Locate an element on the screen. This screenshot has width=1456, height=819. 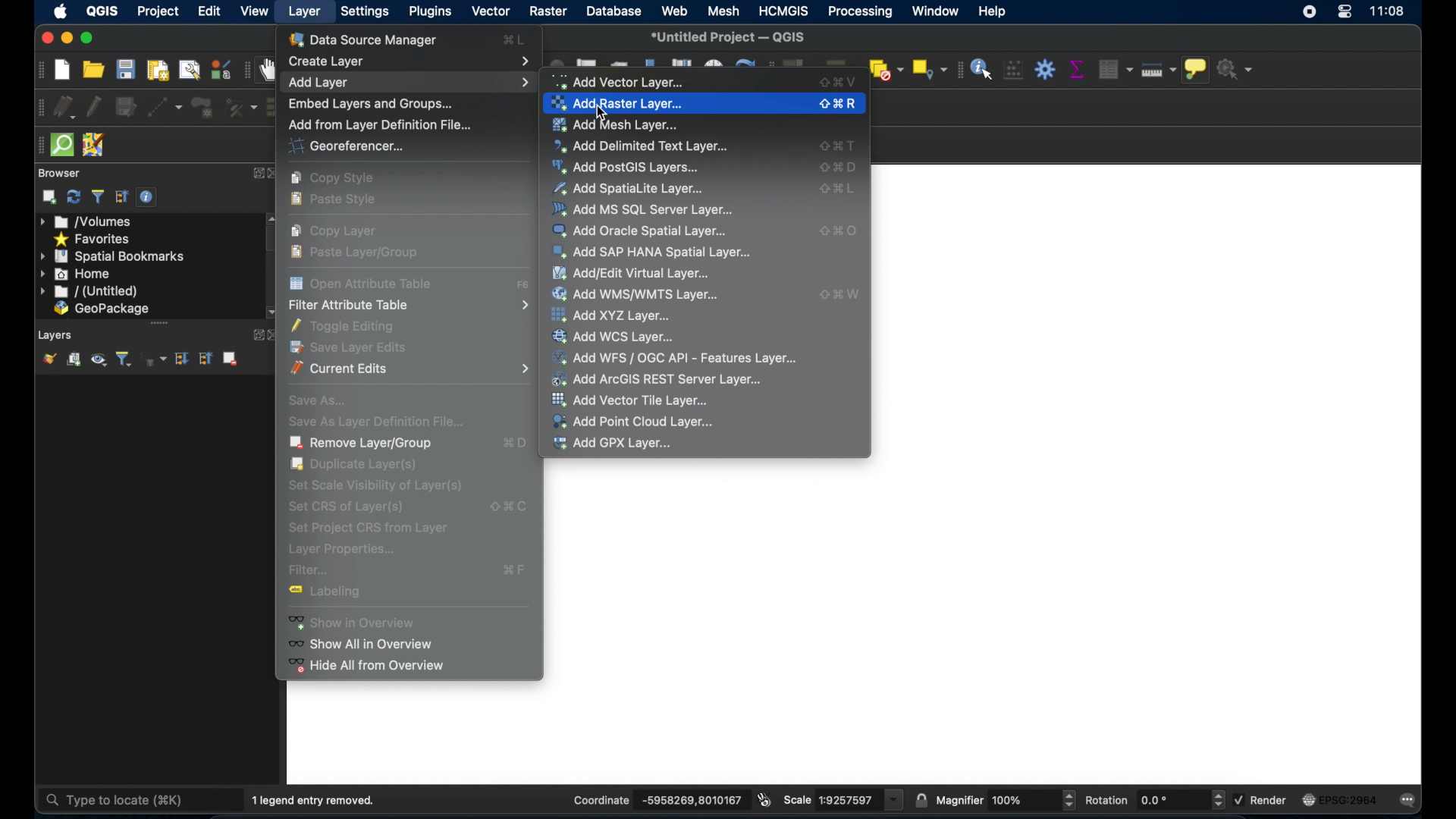
collapse all is located at coordinates (120, 196).